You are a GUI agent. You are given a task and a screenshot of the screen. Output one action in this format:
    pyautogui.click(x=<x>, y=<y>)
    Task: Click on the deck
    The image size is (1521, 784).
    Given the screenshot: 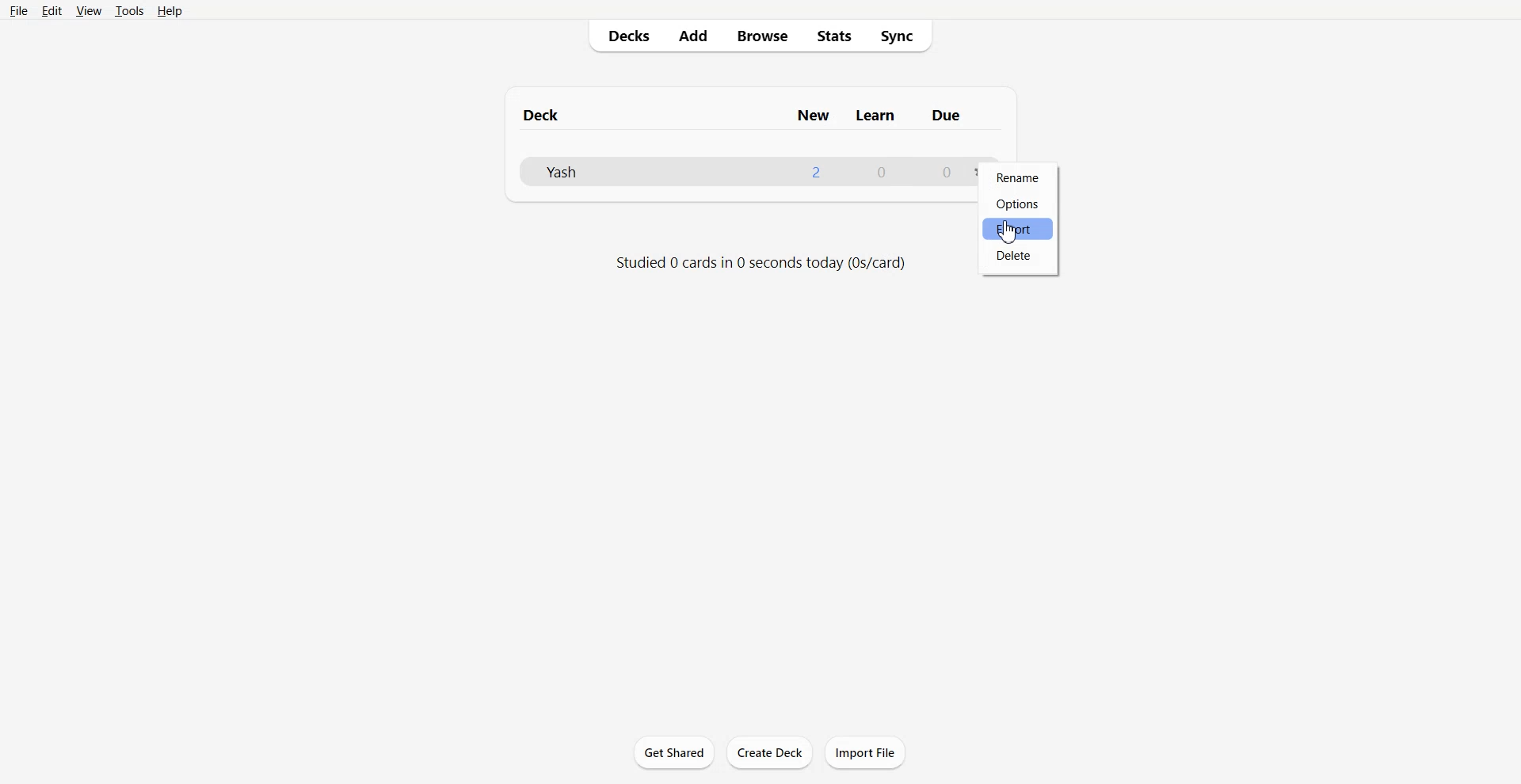 What is the action you would take?
    pyautogui.click(x=556, y=113)
    